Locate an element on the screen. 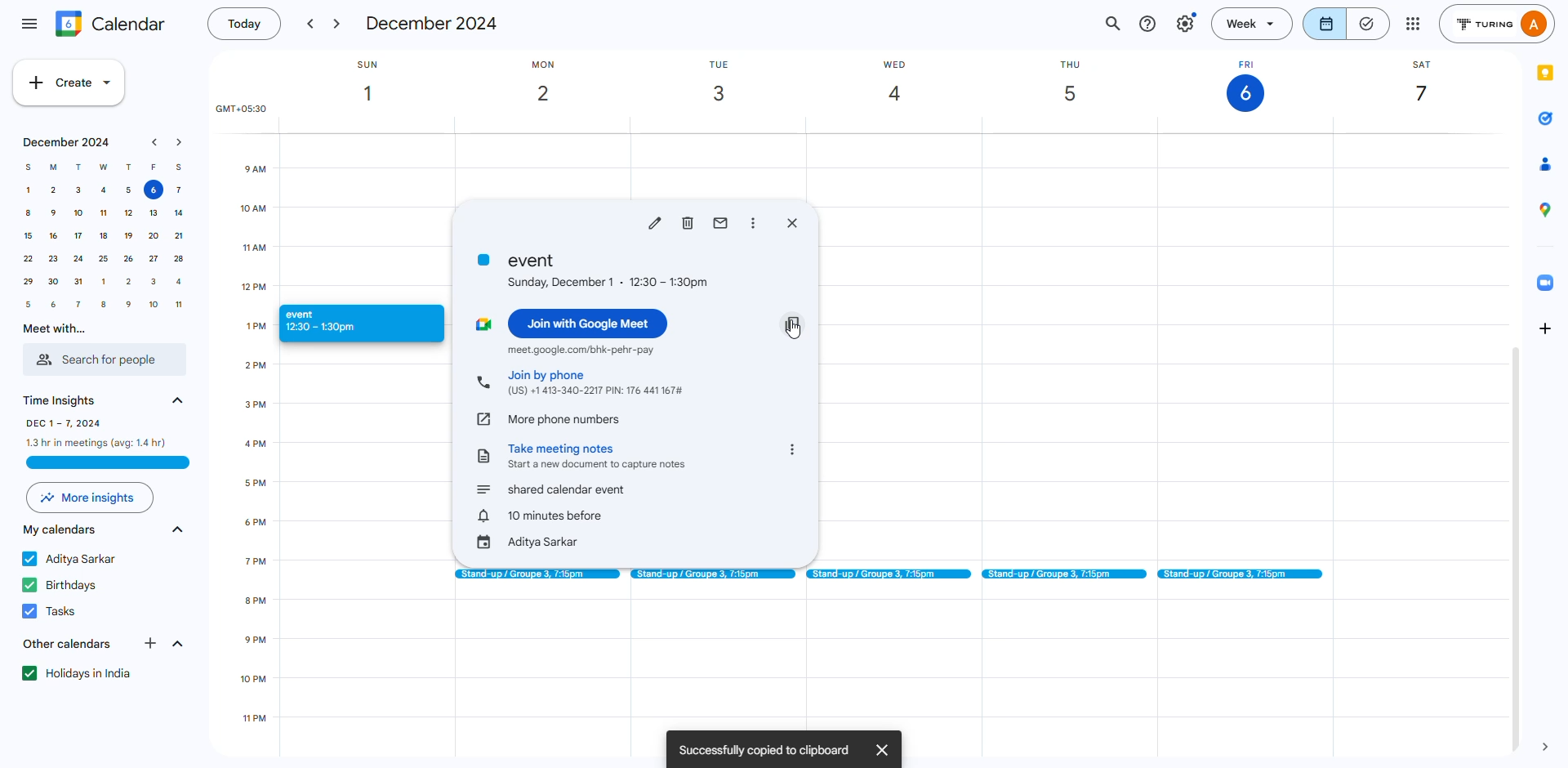 Image resolution: width=1568 pixels, height=768 pixels. event is located at coordinates (345, 323).